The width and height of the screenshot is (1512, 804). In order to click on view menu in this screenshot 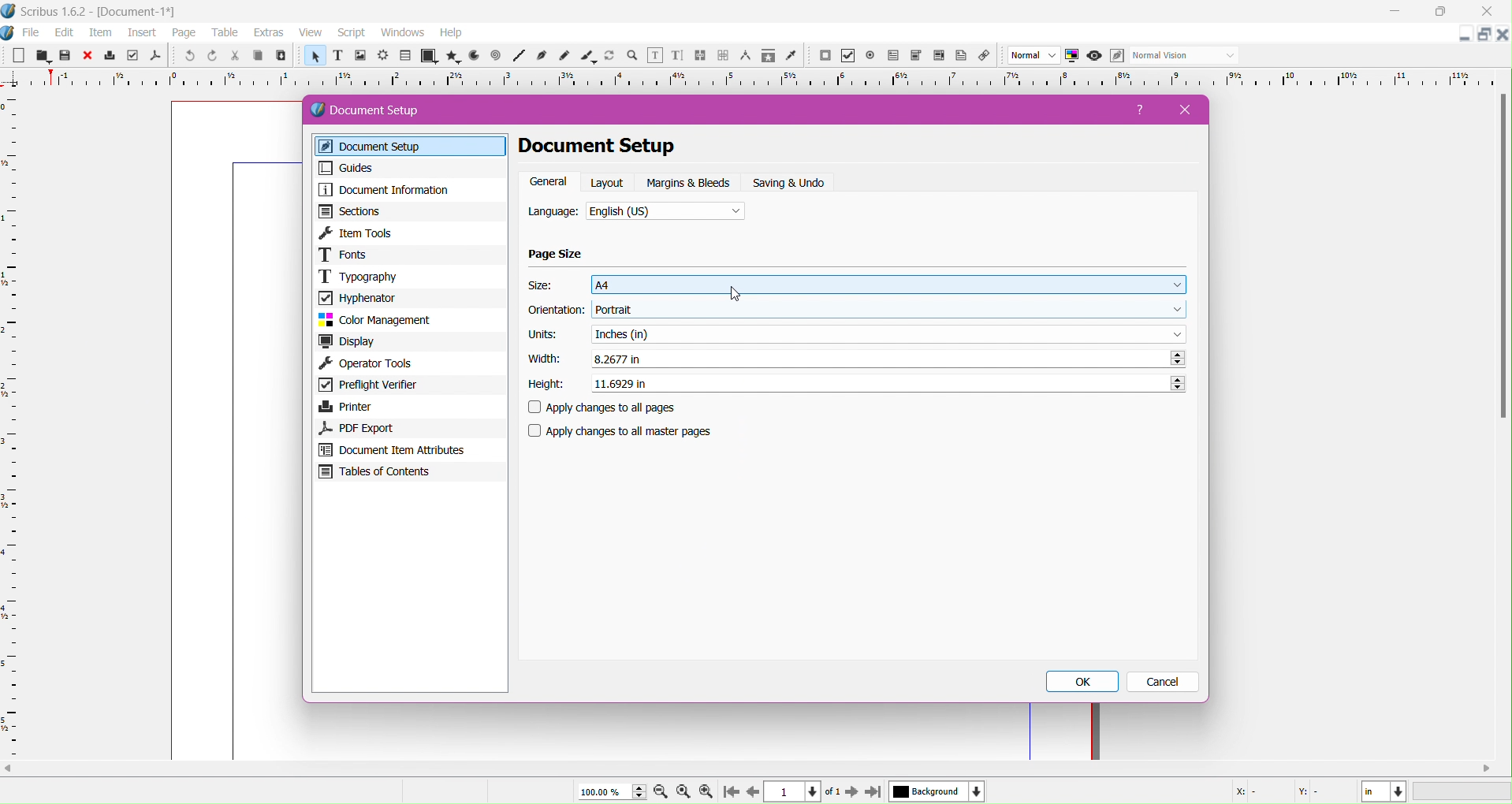, I will do `click(311, 33)`.